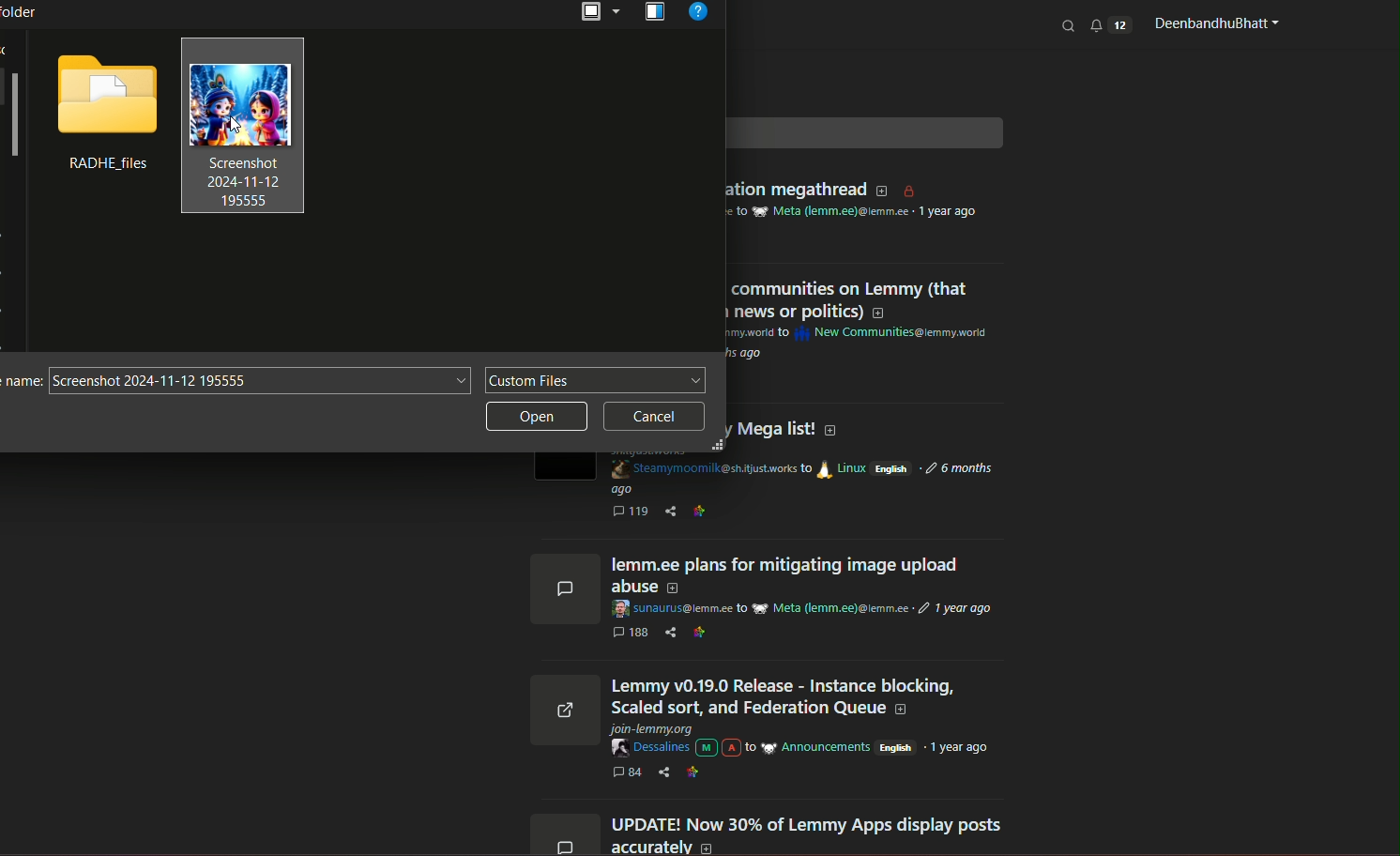  Describe the element at coordinates (103, 166) in the screenshot. I see `RADHE_files` at that location.